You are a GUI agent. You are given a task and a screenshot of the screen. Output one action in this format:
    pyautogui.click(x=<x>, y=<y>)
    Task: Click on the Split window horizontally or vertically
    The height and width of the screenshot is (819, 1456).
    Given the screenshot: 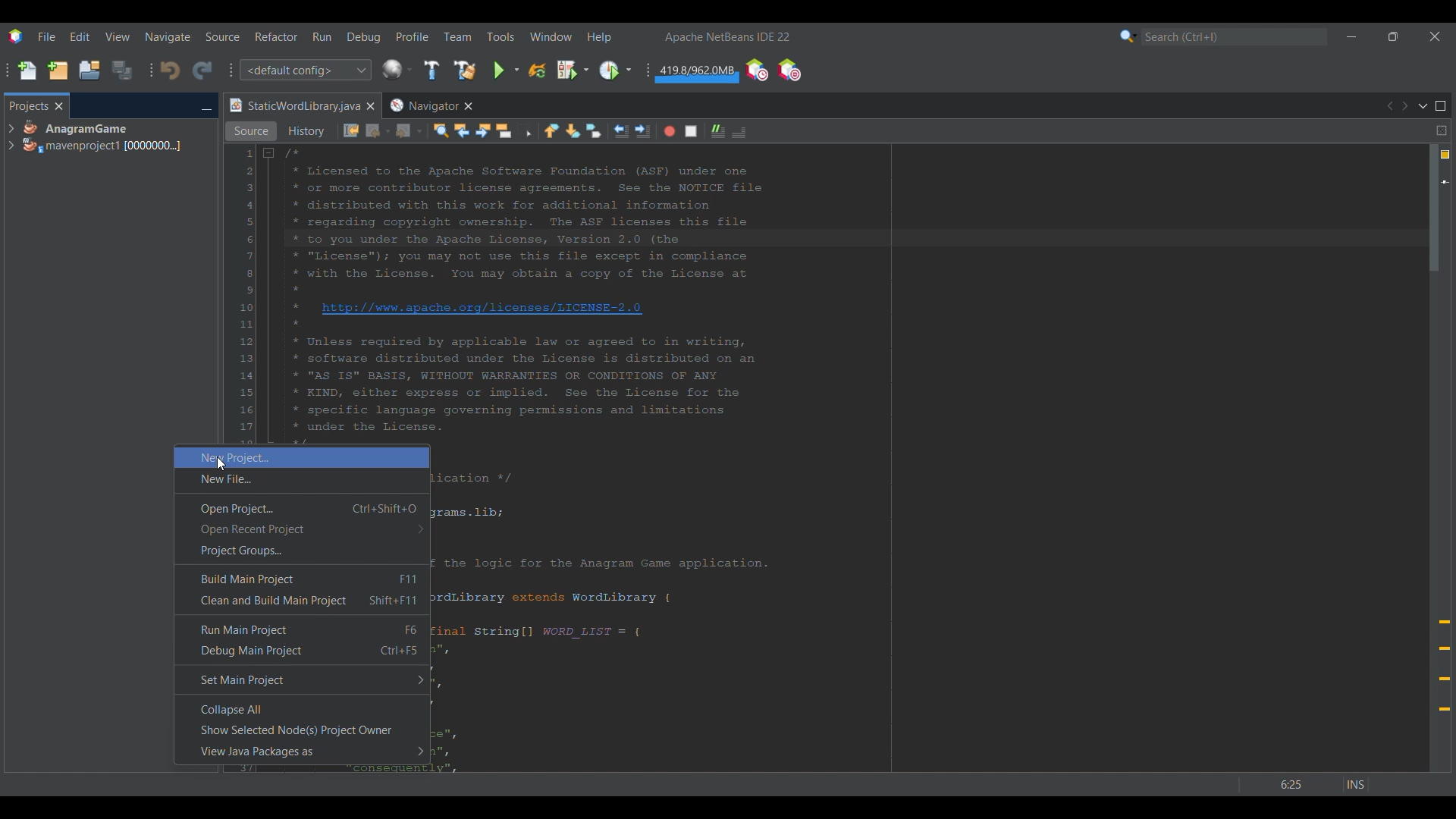 What is the action you would take?
    pyautogui.click(x=1441, y=130)
    